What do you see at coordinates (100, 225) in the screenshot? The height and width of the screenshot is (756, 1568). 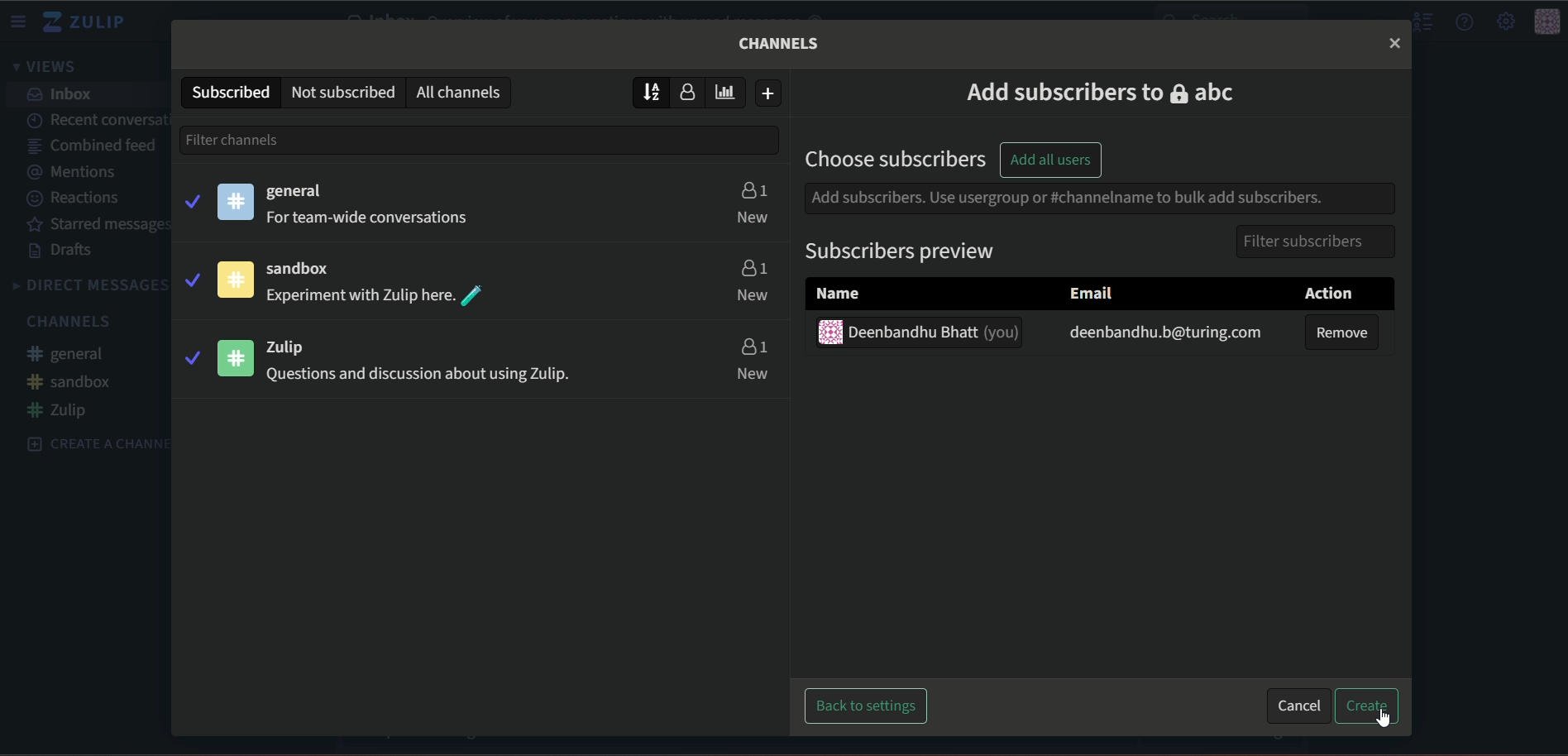 I see `starred messages` at bounding box center [100, 225].